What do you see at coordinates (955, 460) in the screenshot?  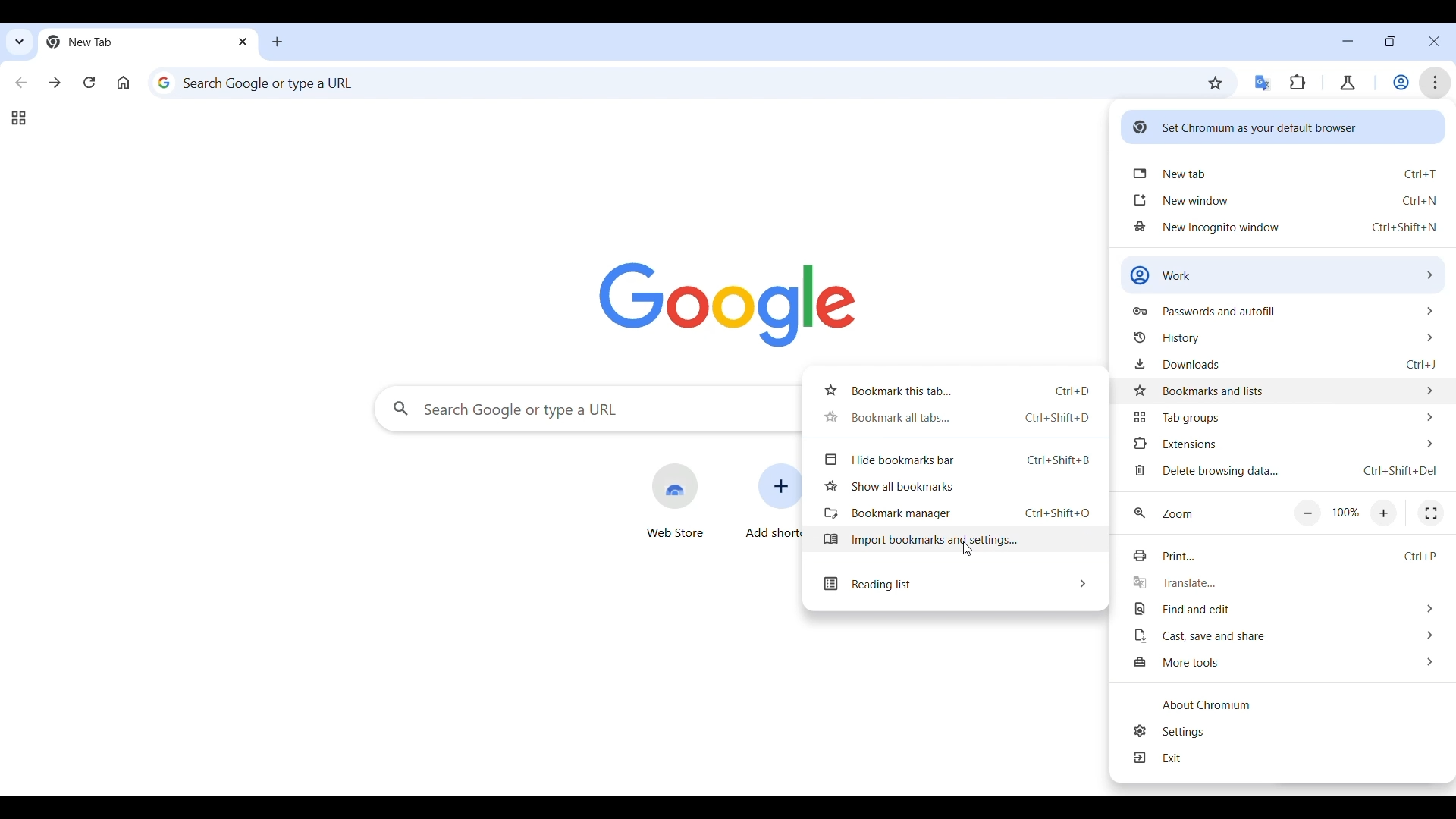 I see `Hide bookmarks bar` at bounding box center [955, 460].